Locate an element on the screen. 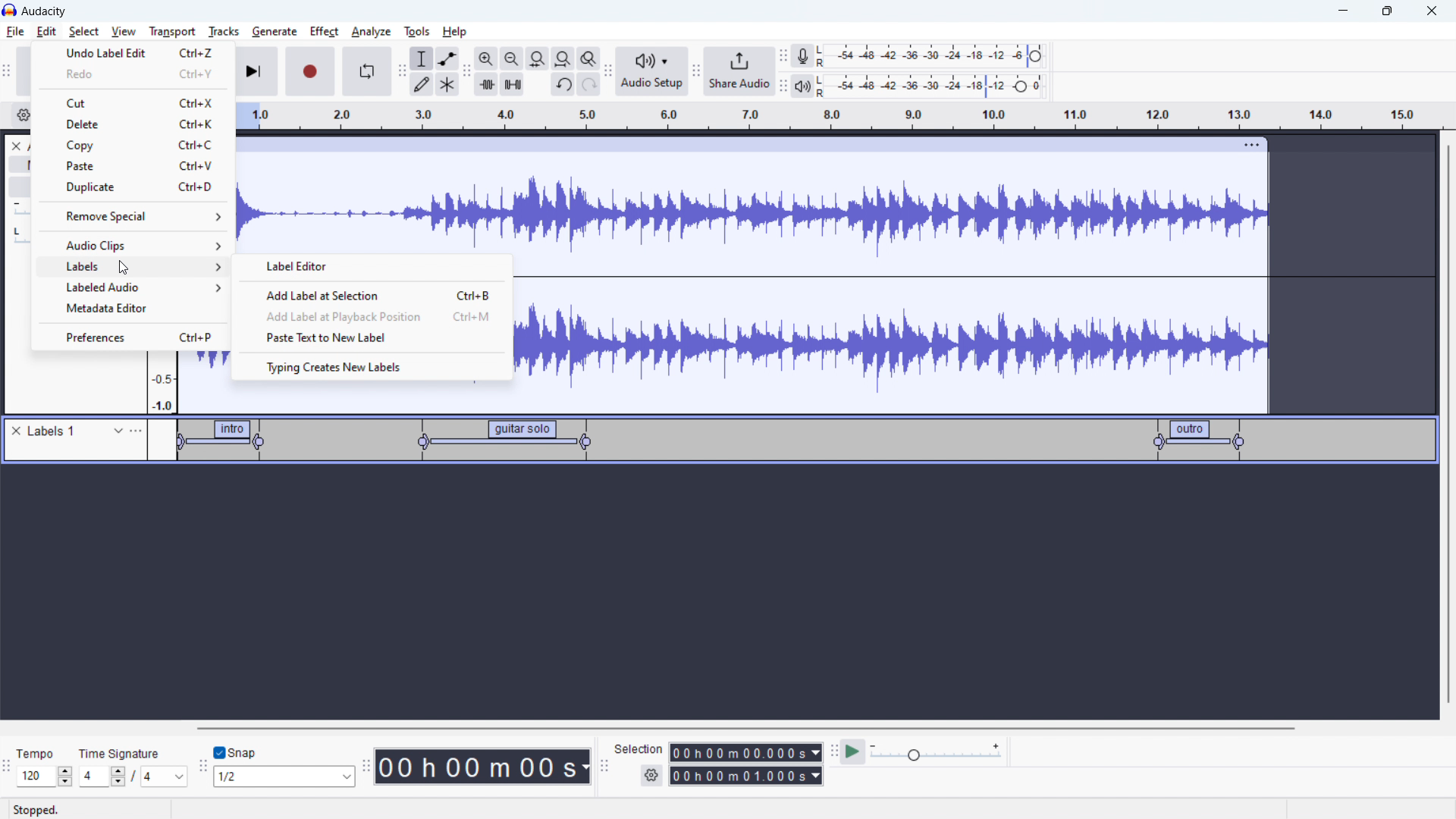 The height and width of the screenshot is (819, 1456). undo label edit is located at coordinates (133, 52).